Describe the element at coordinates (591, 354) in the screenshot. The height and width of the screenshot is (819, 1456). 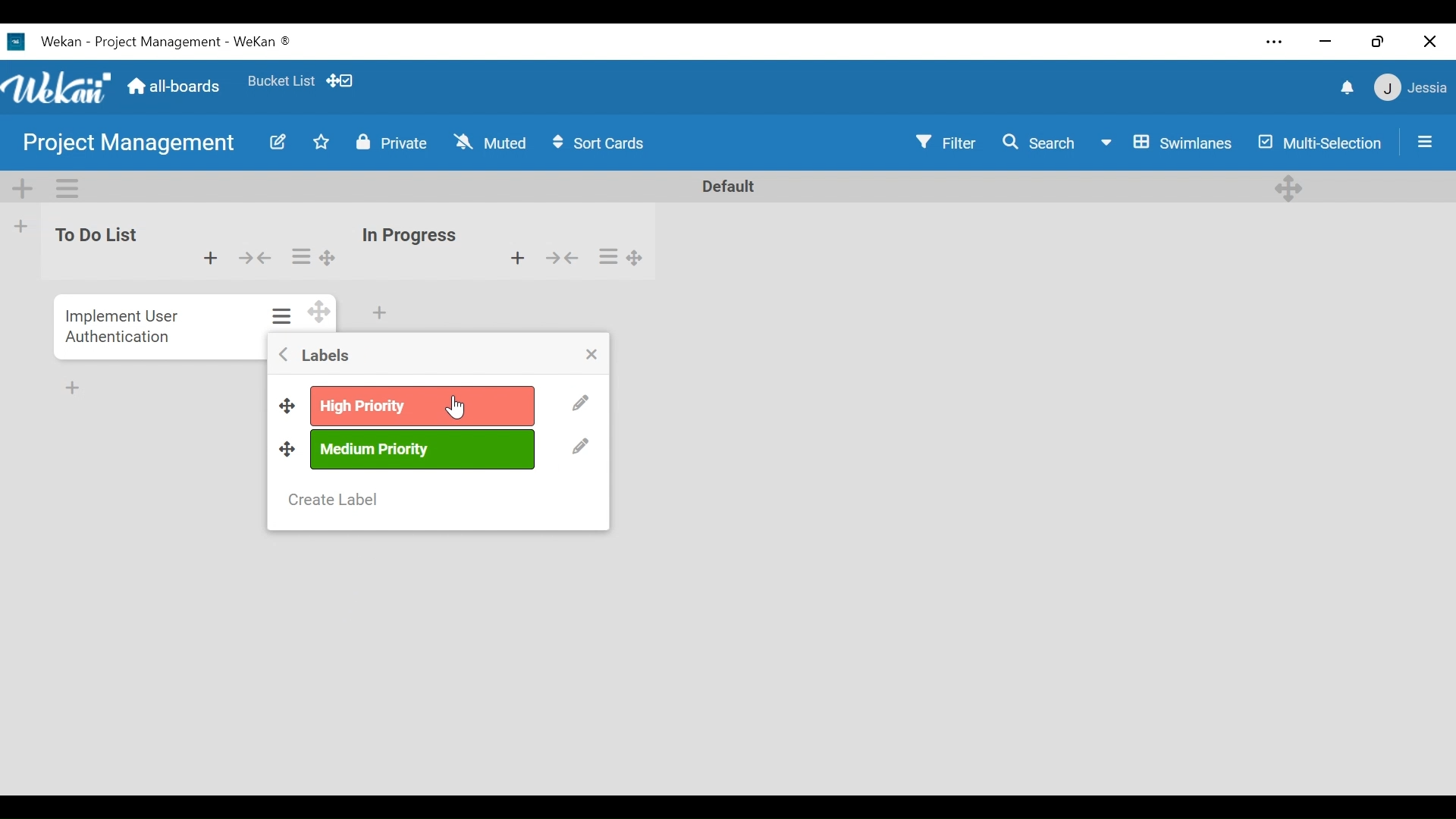
I see `close` at that location.